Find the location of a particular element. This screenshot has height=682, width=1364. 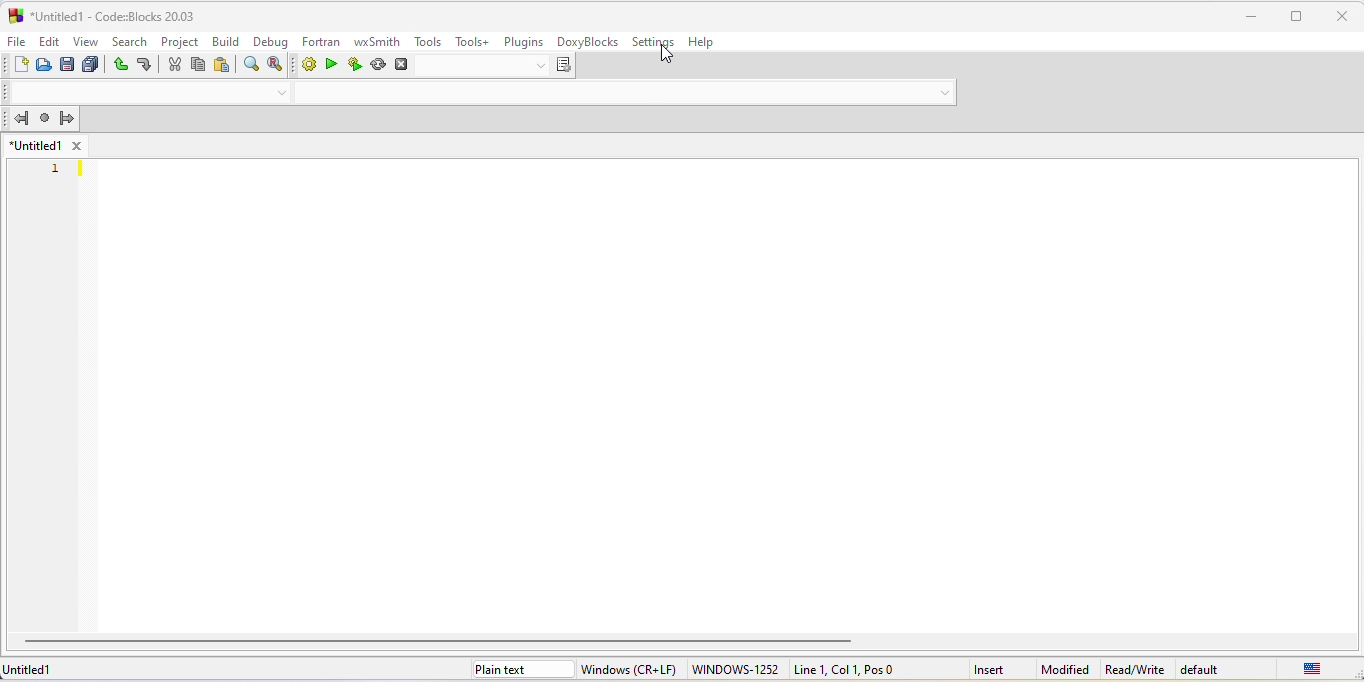

tools+ is located at coordinates (468, 40).